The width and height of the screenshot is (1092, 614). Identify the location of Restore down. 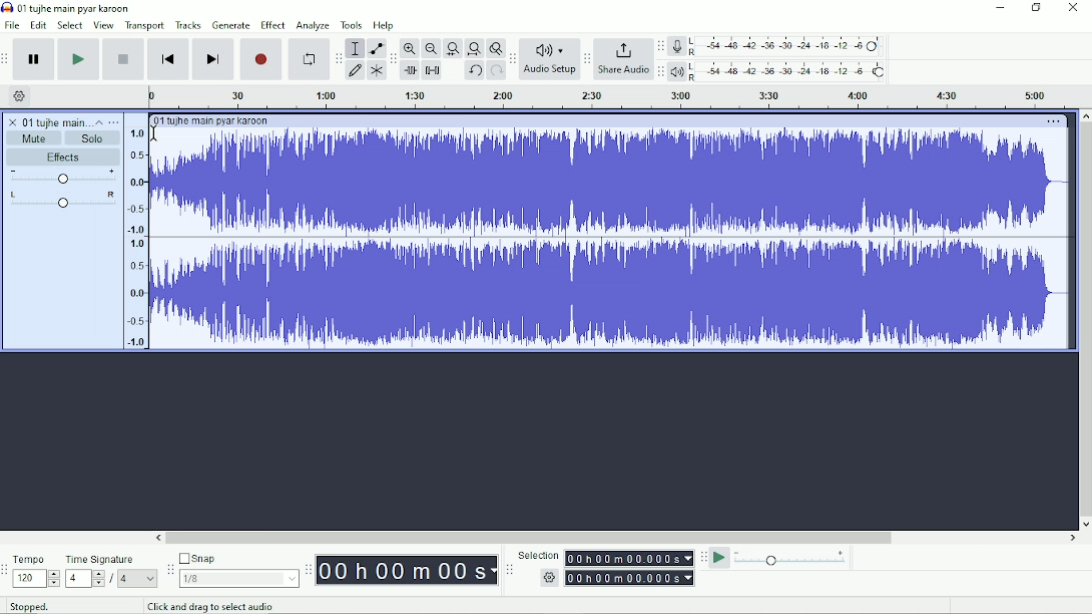
(1036, 8).